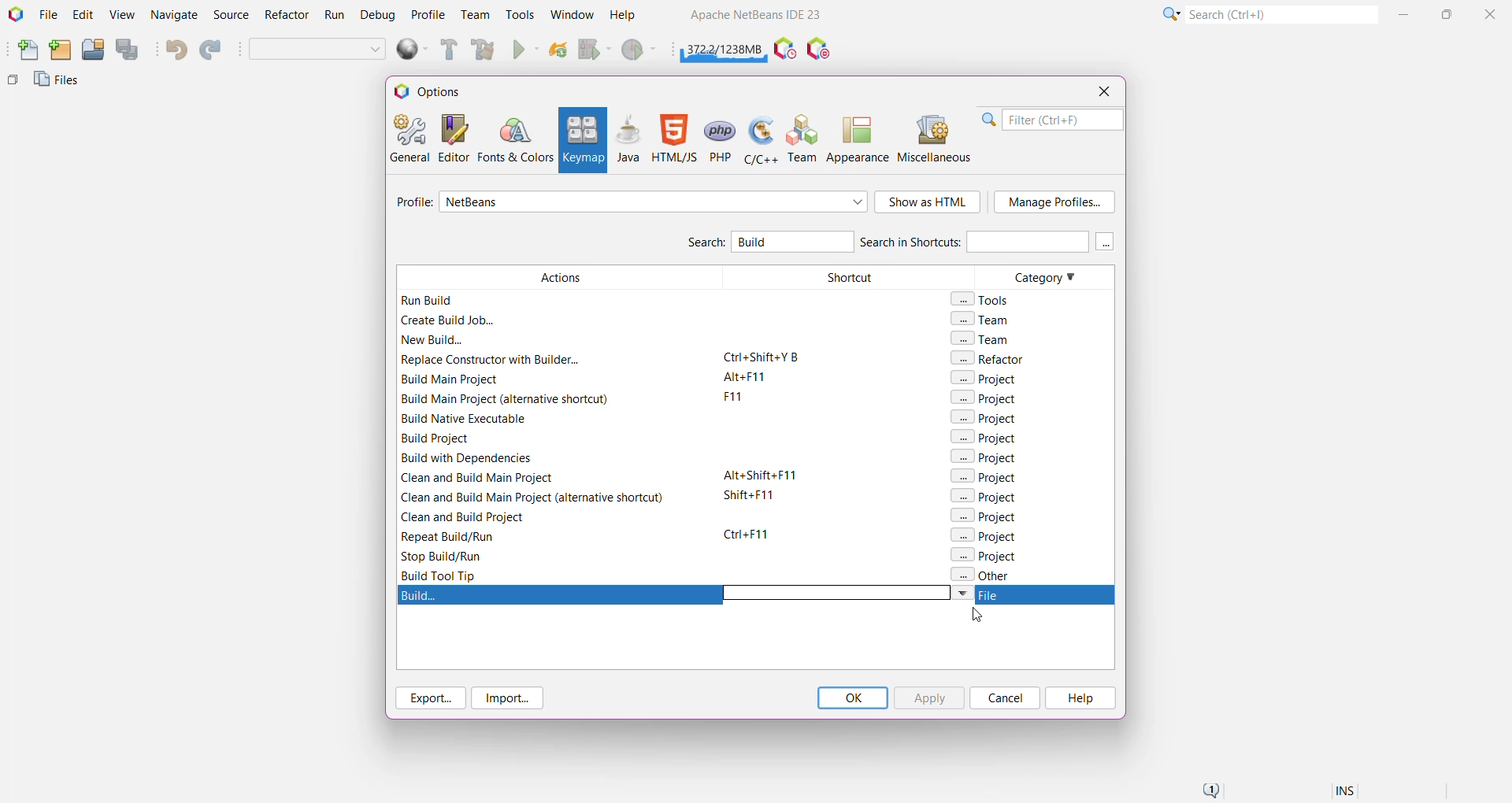 This screenshot has height=803, width=1512. What do you see at coordinates (721, 139) in the screenshot?
I see `PHP` at bounding box center [721, 139].